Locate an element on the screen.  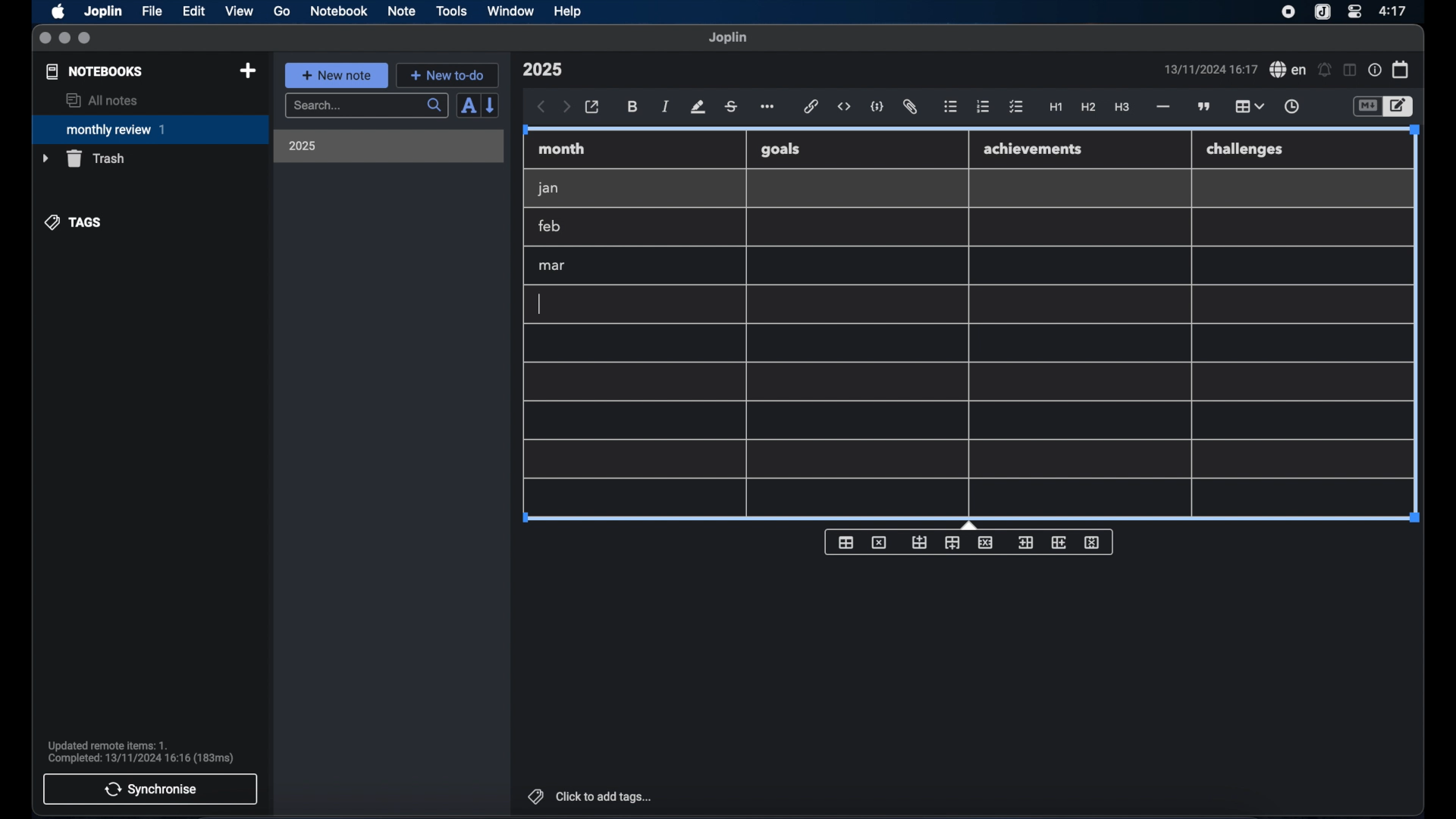
edit is located at coordinates (195, 11).